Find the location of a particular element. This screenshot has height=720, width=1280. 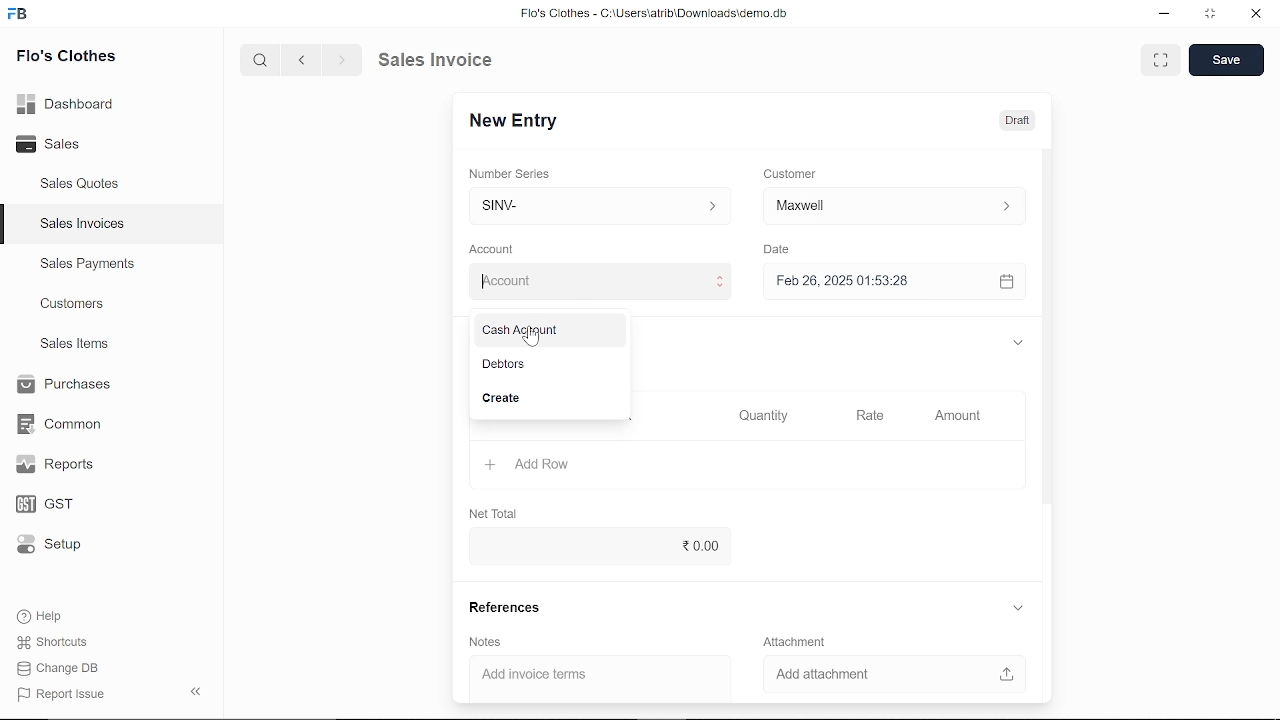

Debtors, is located at coordinates (548, 365).